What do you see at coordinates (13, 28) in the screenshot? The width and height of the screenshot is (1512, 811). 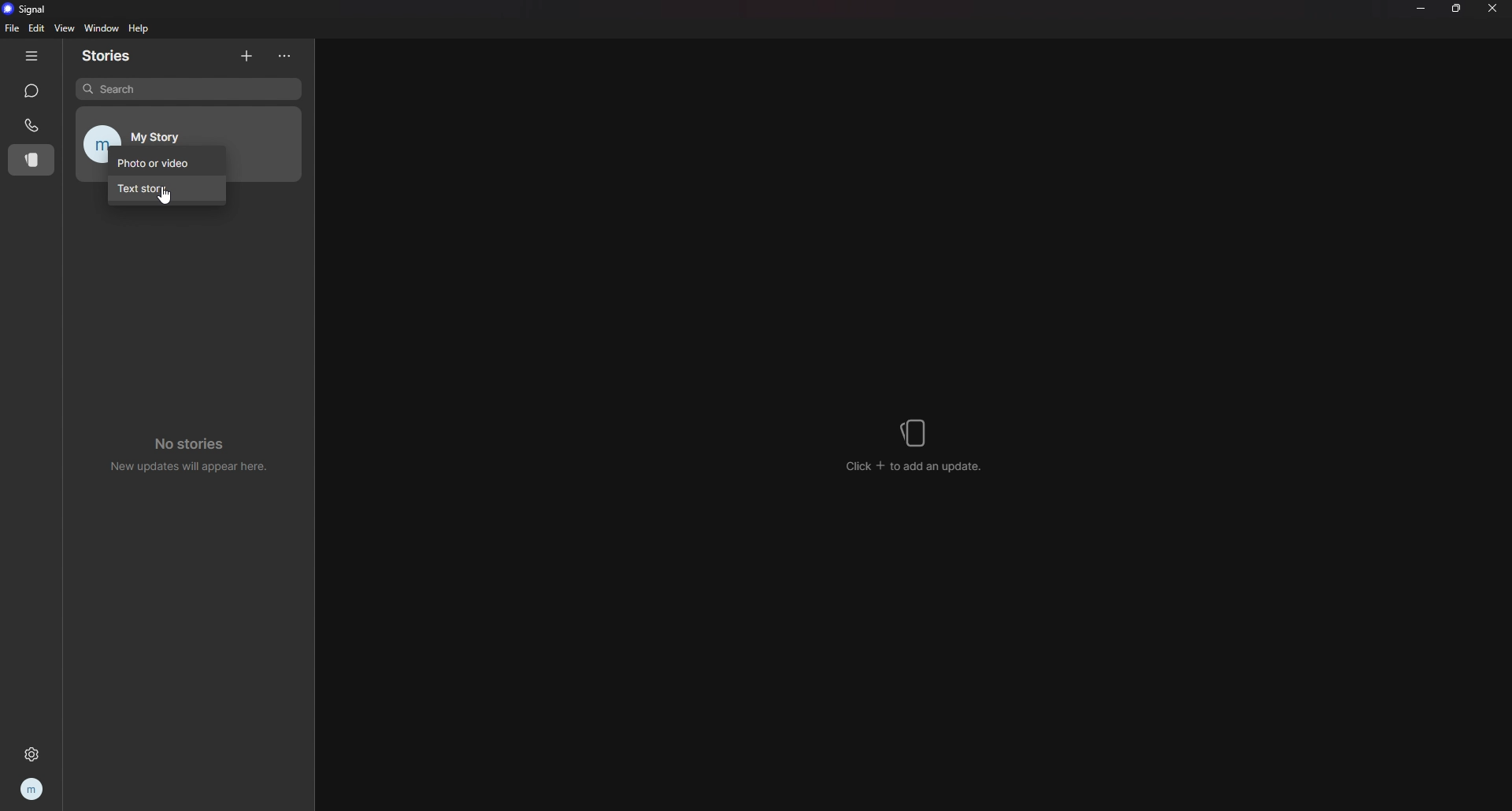 I see `file` at bounding box center [13, 28].